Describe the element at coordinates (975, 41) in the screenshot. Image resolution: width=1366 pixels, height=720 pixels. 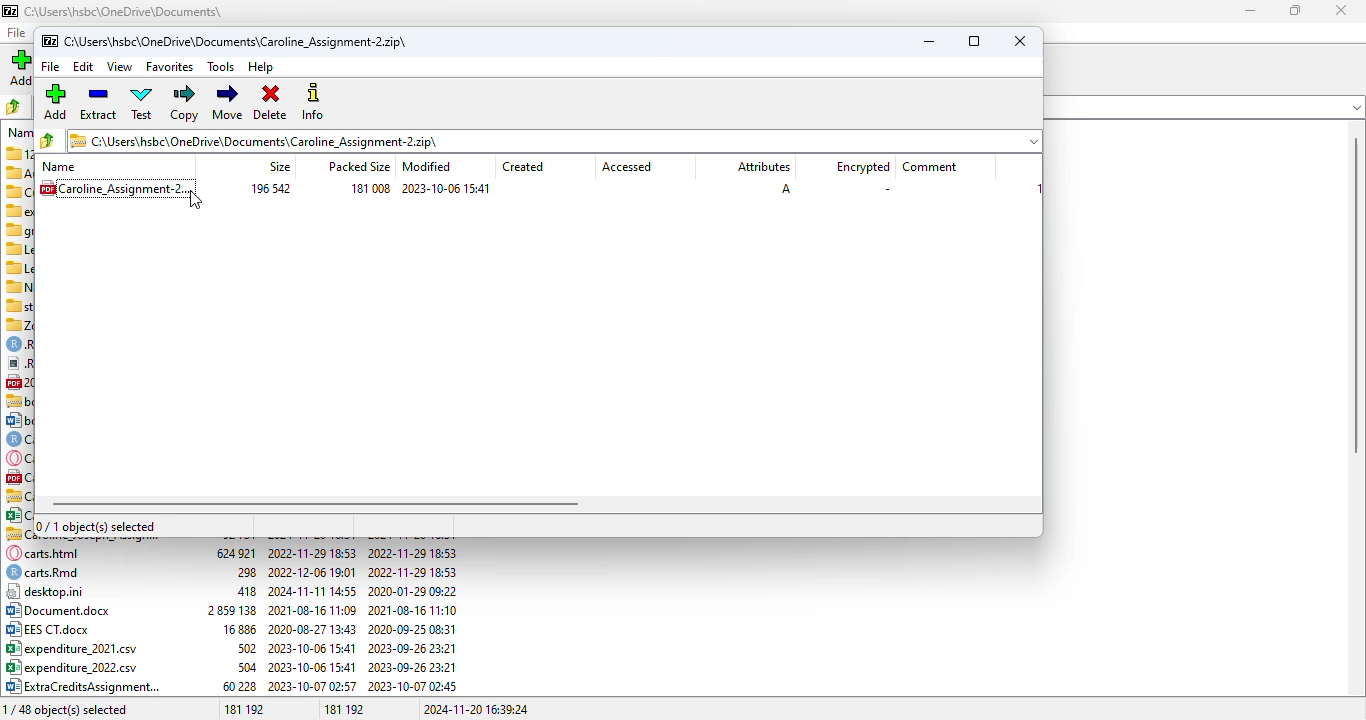
I see `maximize` at that location.